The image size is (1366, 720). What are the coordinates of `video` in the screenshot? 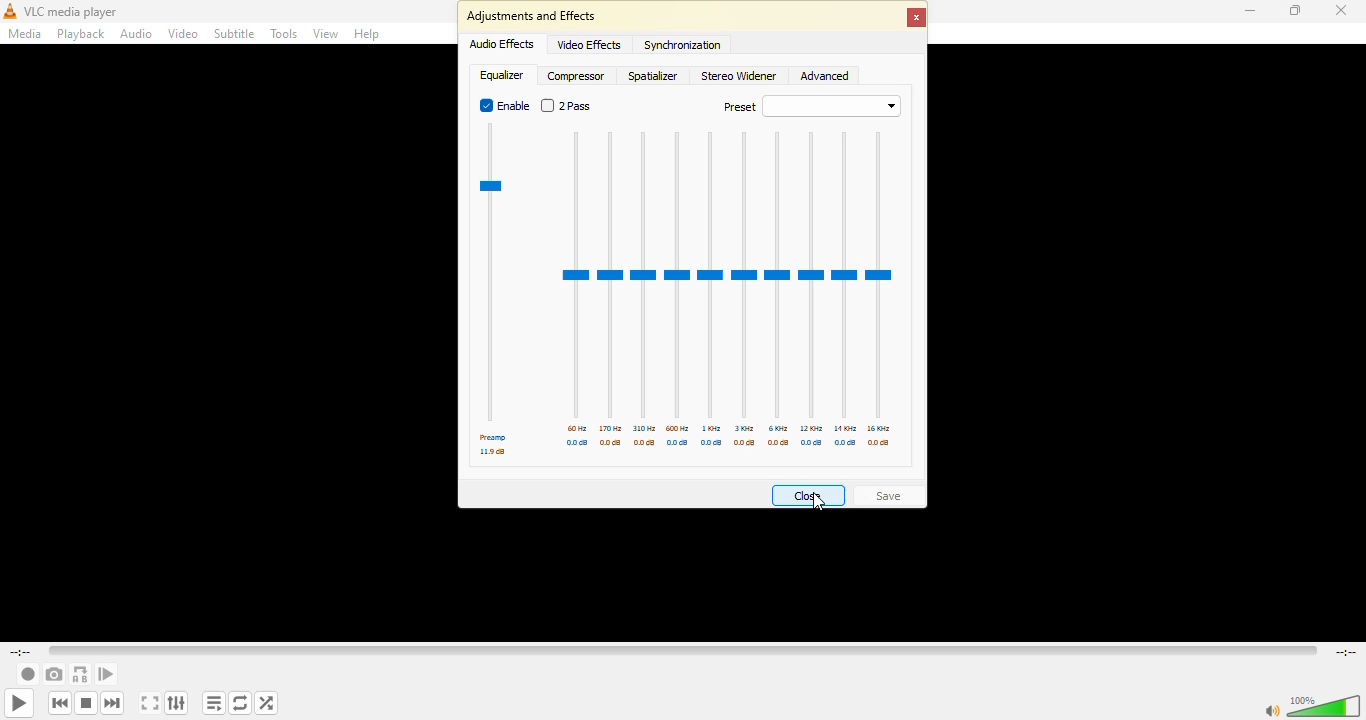 It's located at (183, 35).